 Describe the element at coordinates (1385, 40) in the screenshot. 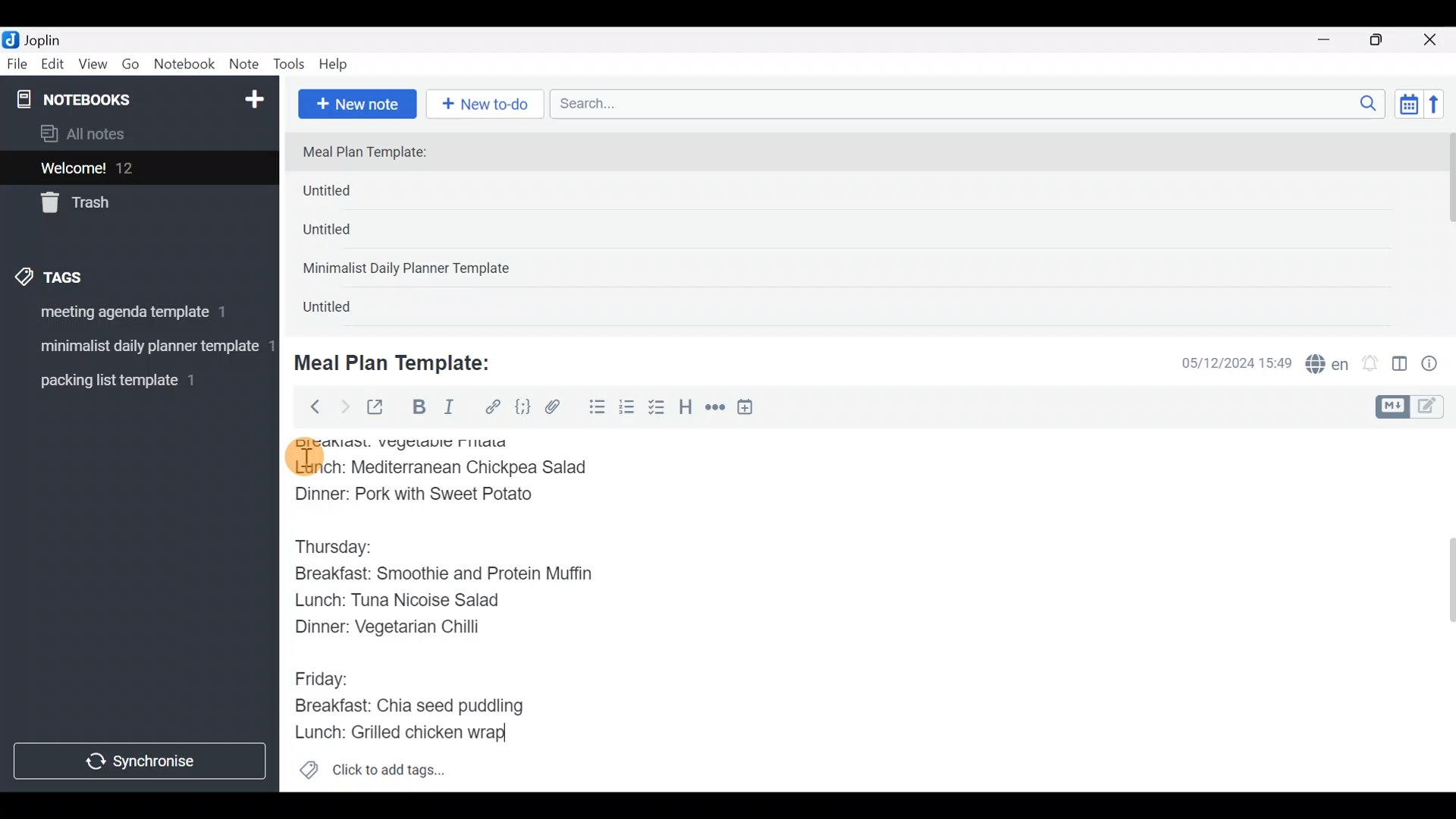

I see `Maximize` at that location.